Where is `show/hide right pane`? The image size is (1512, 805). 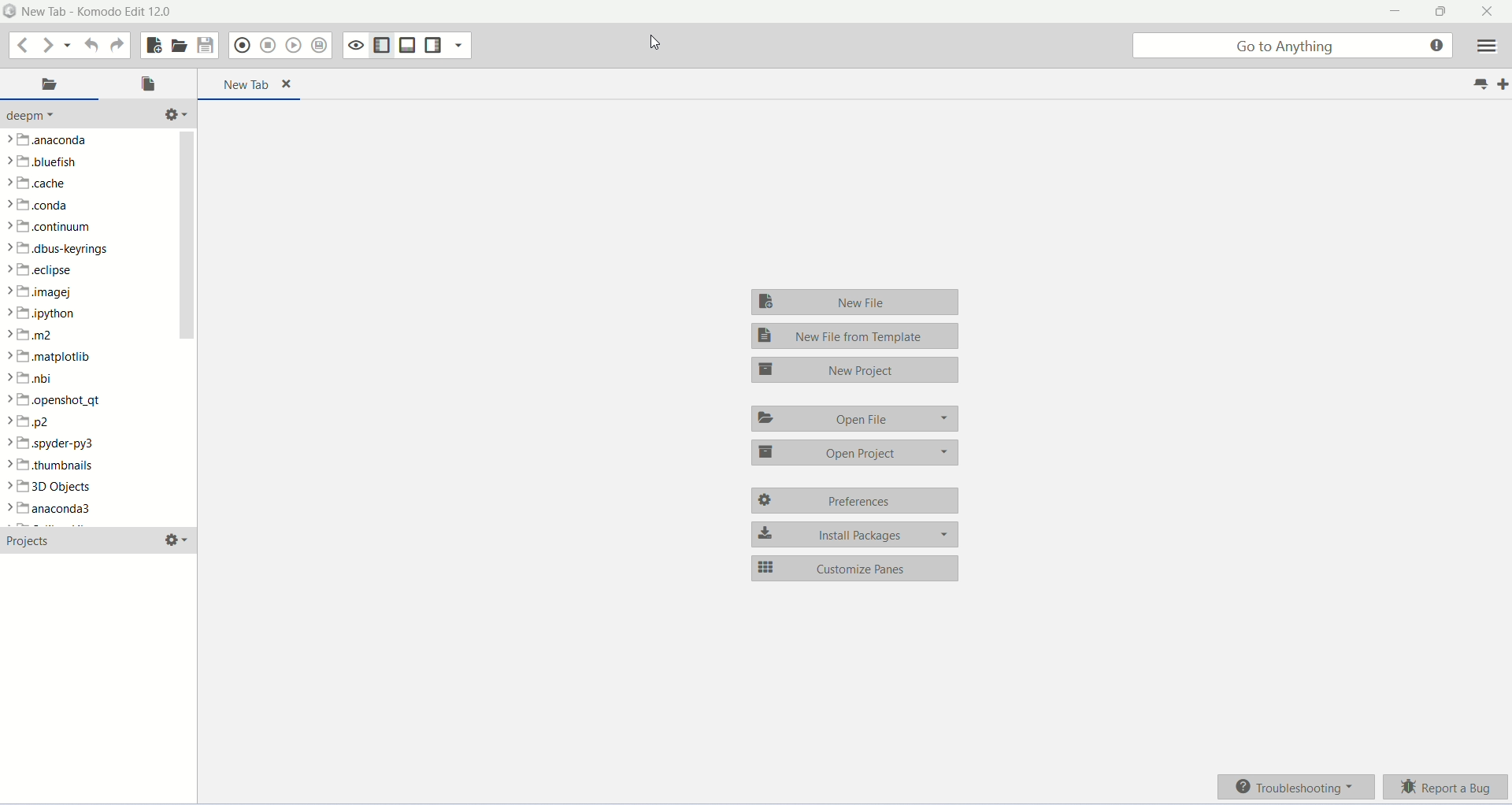 show/hide right pane is located at coordinates (433, 44).